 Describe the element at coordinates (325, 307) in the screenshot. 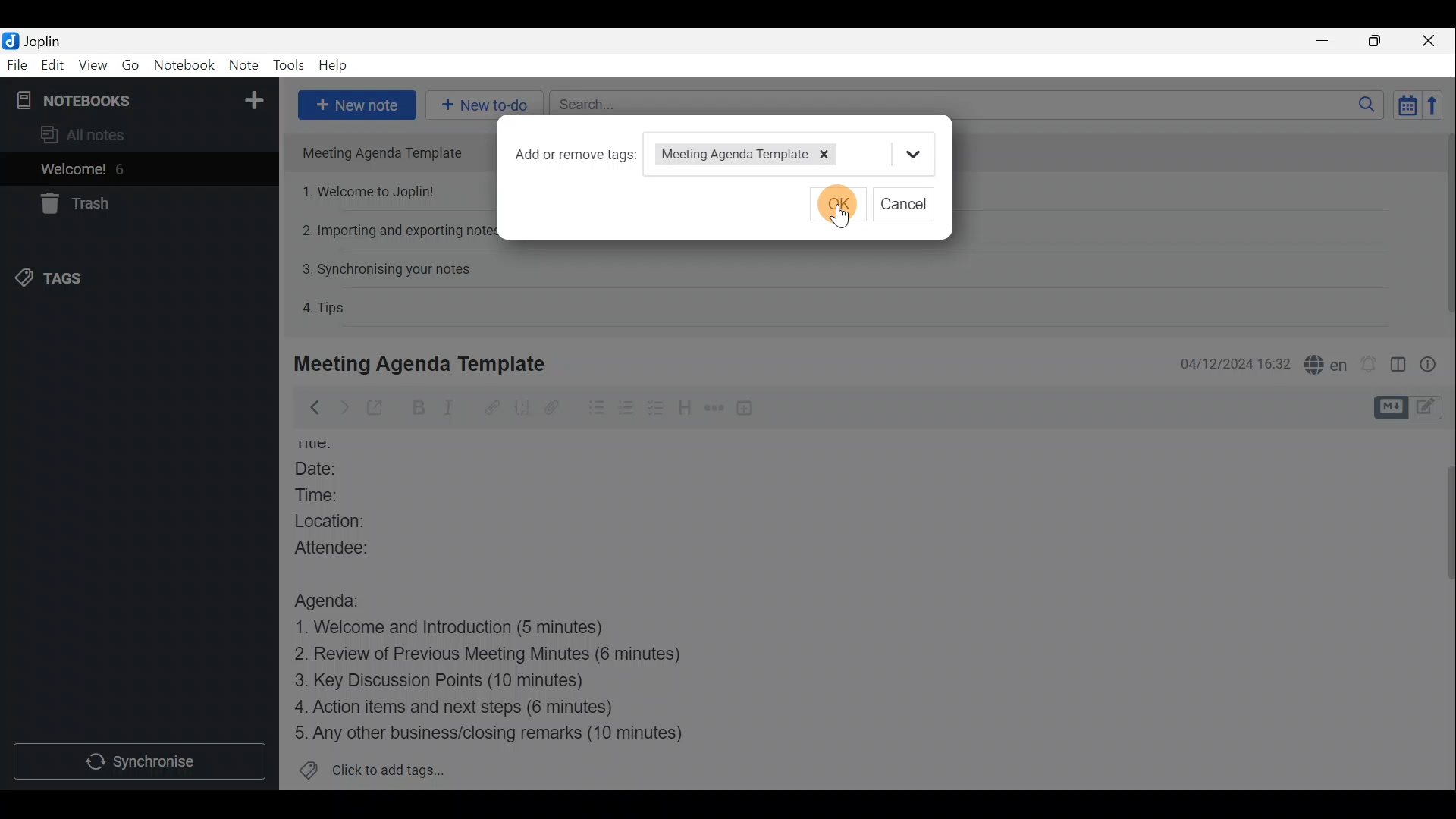

I see `4. Tips` at that location.